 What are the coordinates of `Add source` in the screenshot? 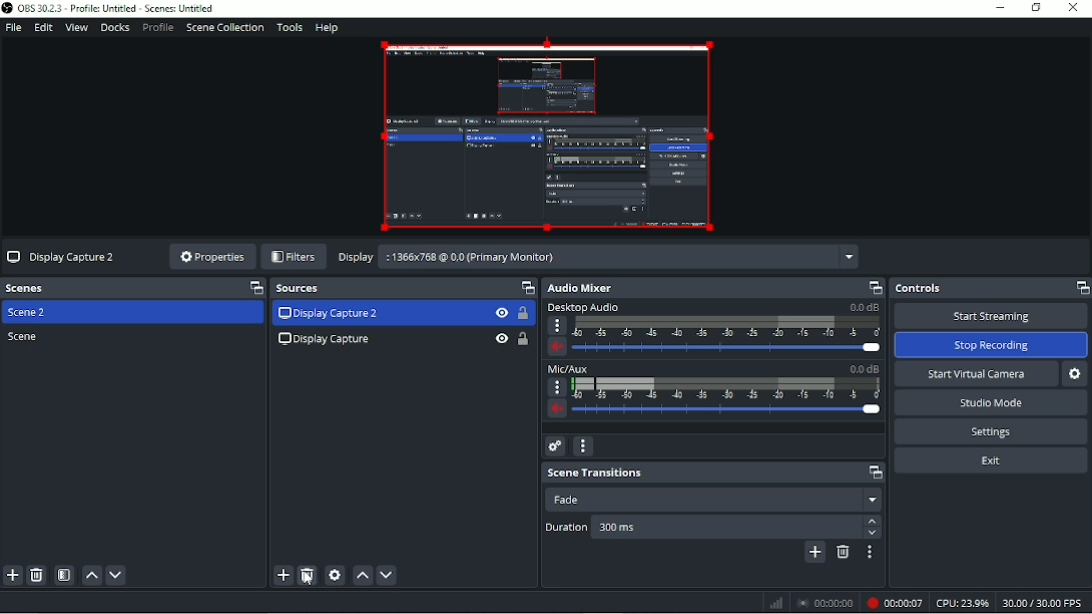 It's located at (282, 575).